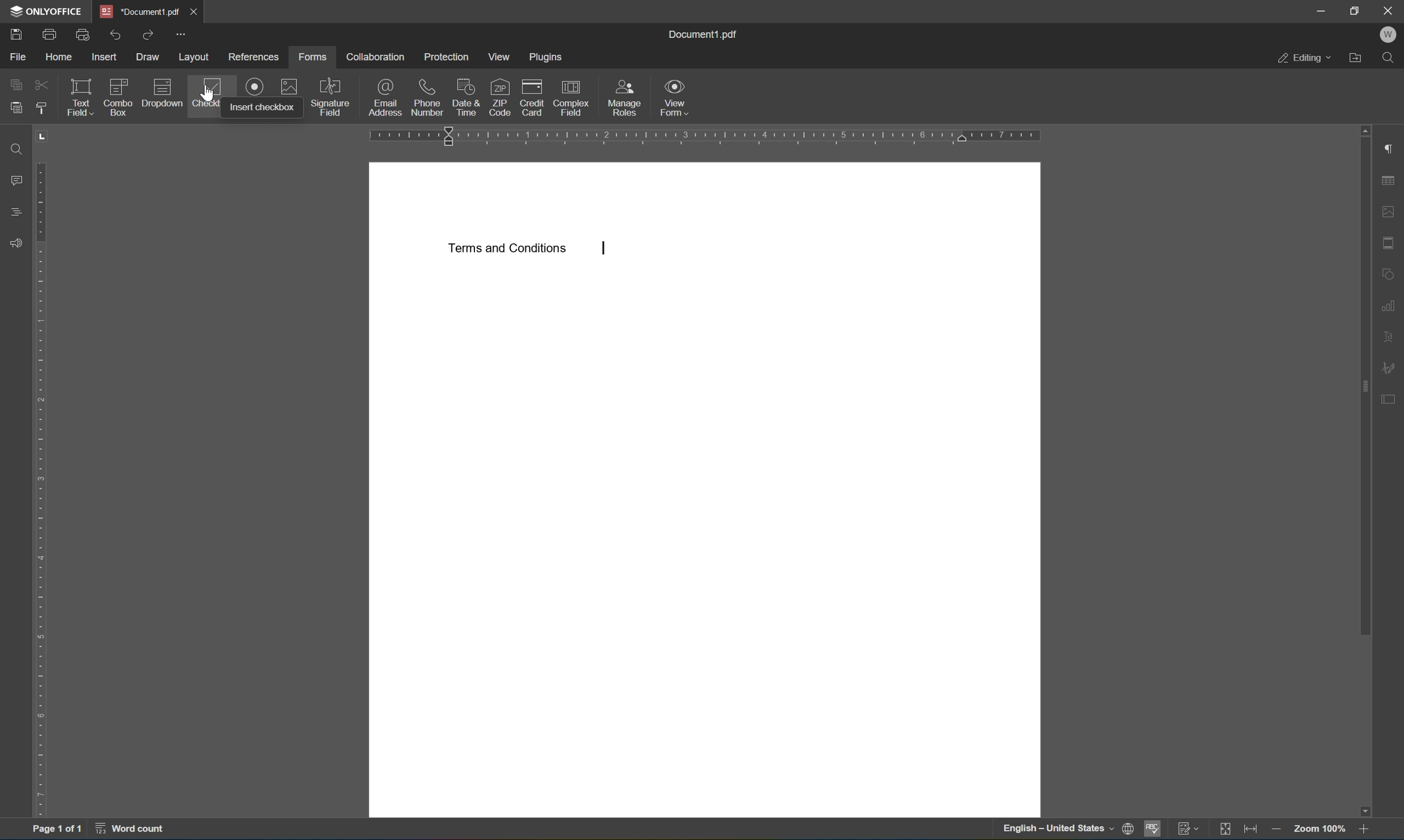  I want to click on open file location, so click(1356, 58).